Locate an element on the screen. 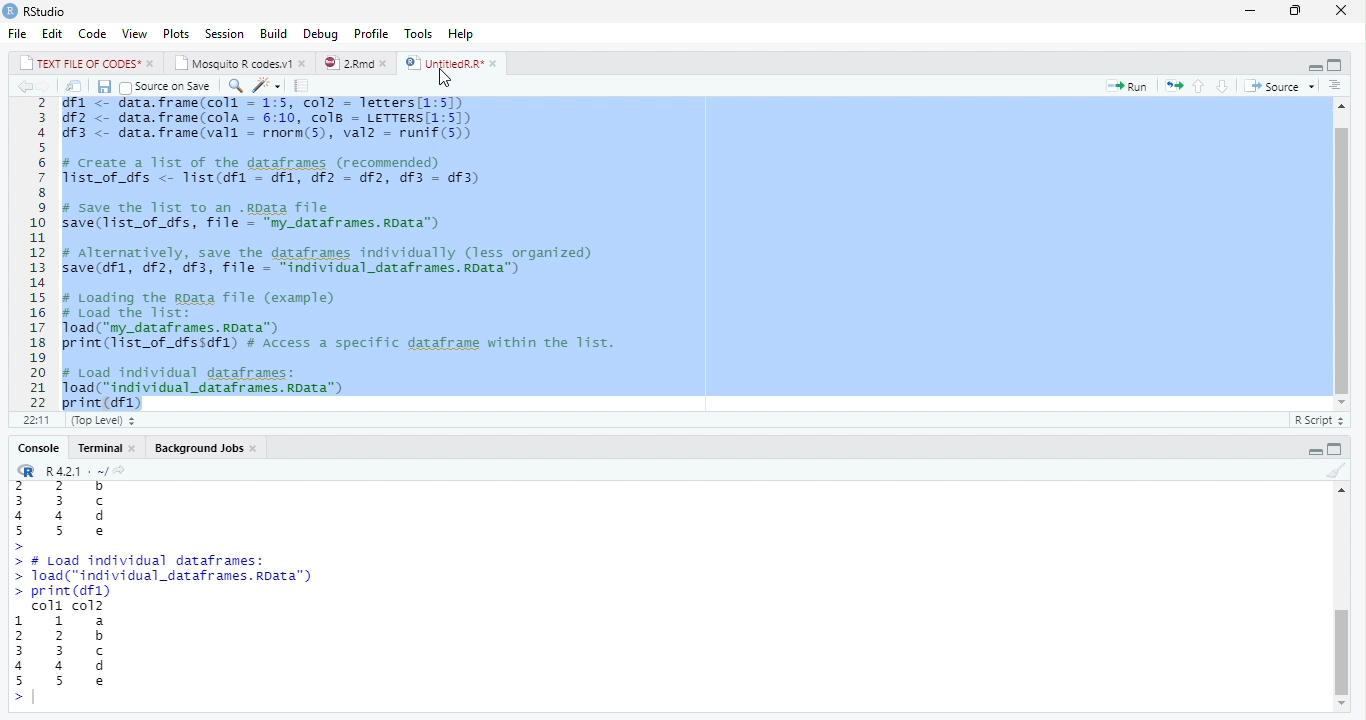 Image resolution: width=1366 pixels, height=720 pixels. View is located at coordinates (135, 34).